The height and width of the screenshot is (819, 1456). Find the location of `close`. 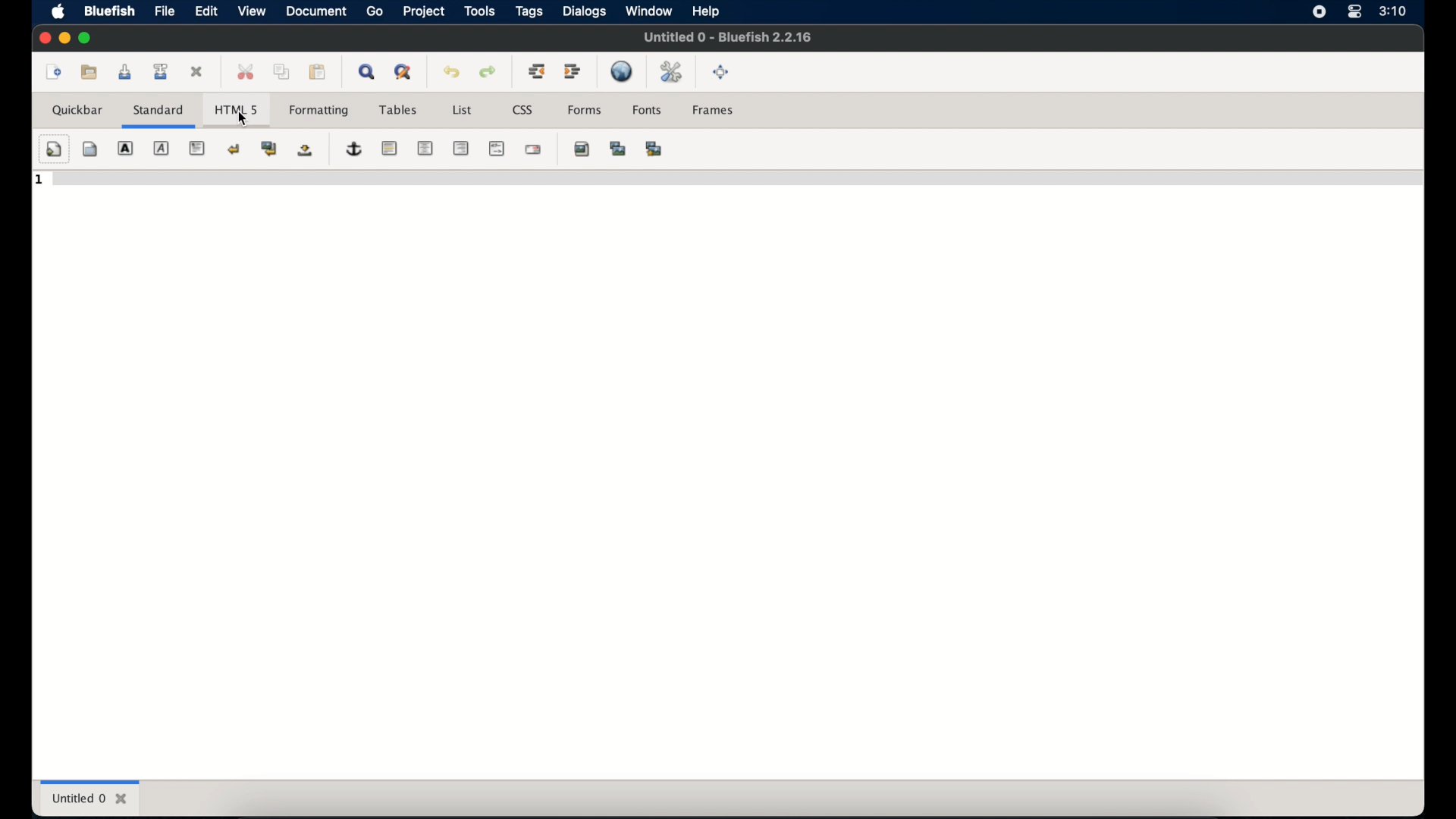

close is located at coordinates (43, 38).